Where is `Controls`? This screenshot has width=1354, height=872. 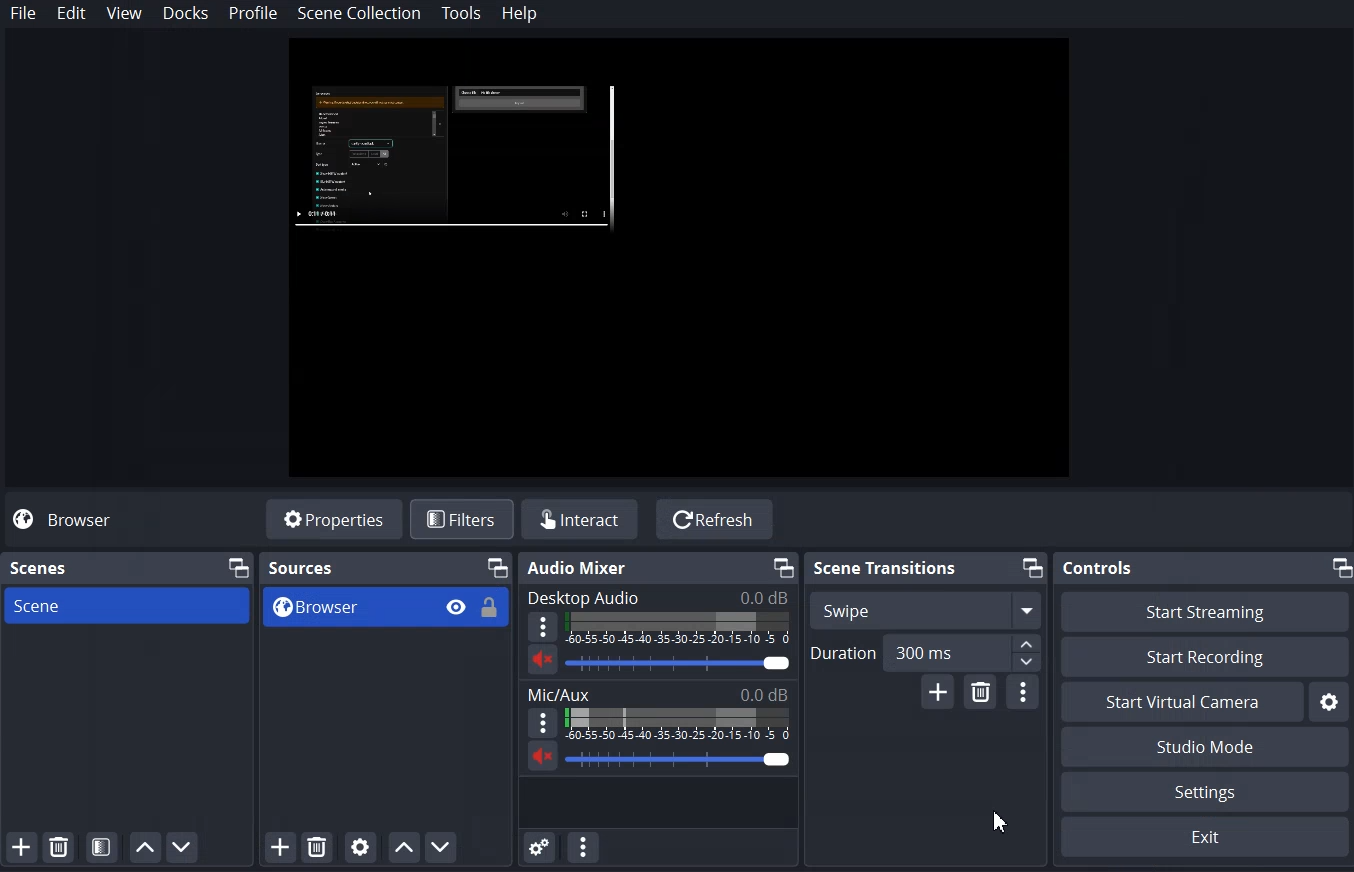 Controls is located at coordinates (1099, 568).